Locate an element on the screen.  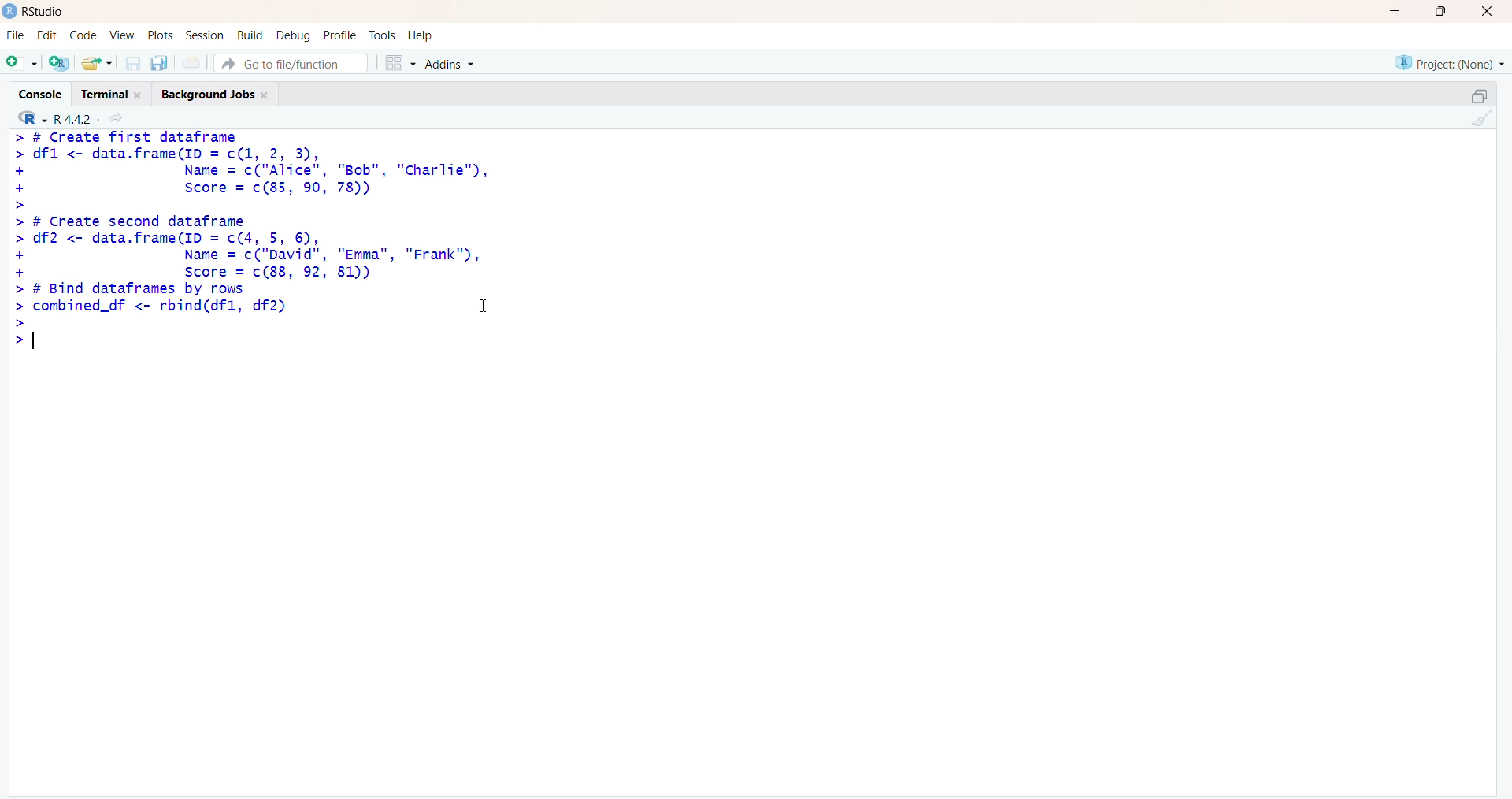
print is located at coordinates (193, 63).